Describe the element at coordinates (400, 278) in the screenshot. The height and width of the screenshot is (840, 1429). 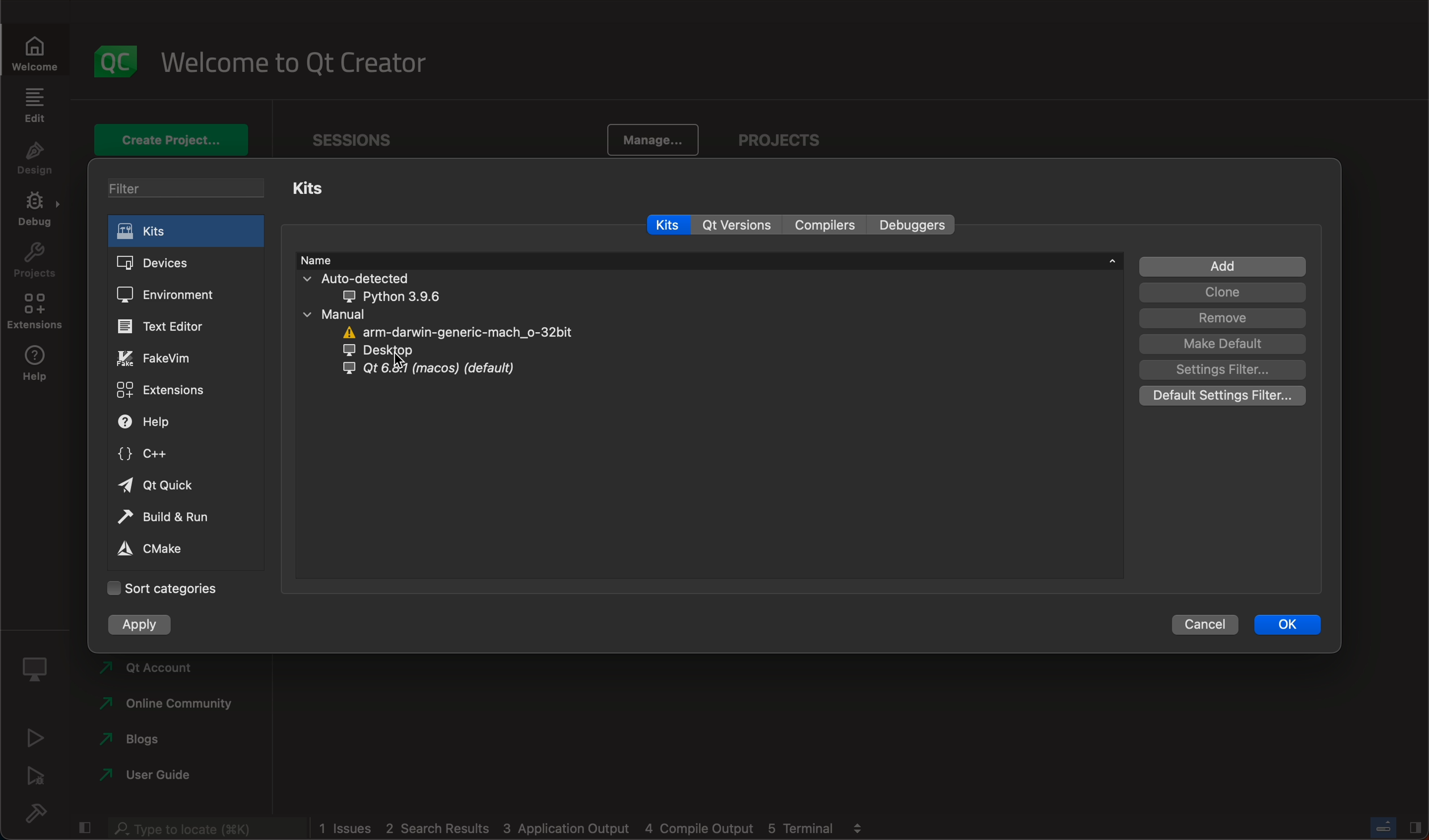
I see `auto detected ` at that location.